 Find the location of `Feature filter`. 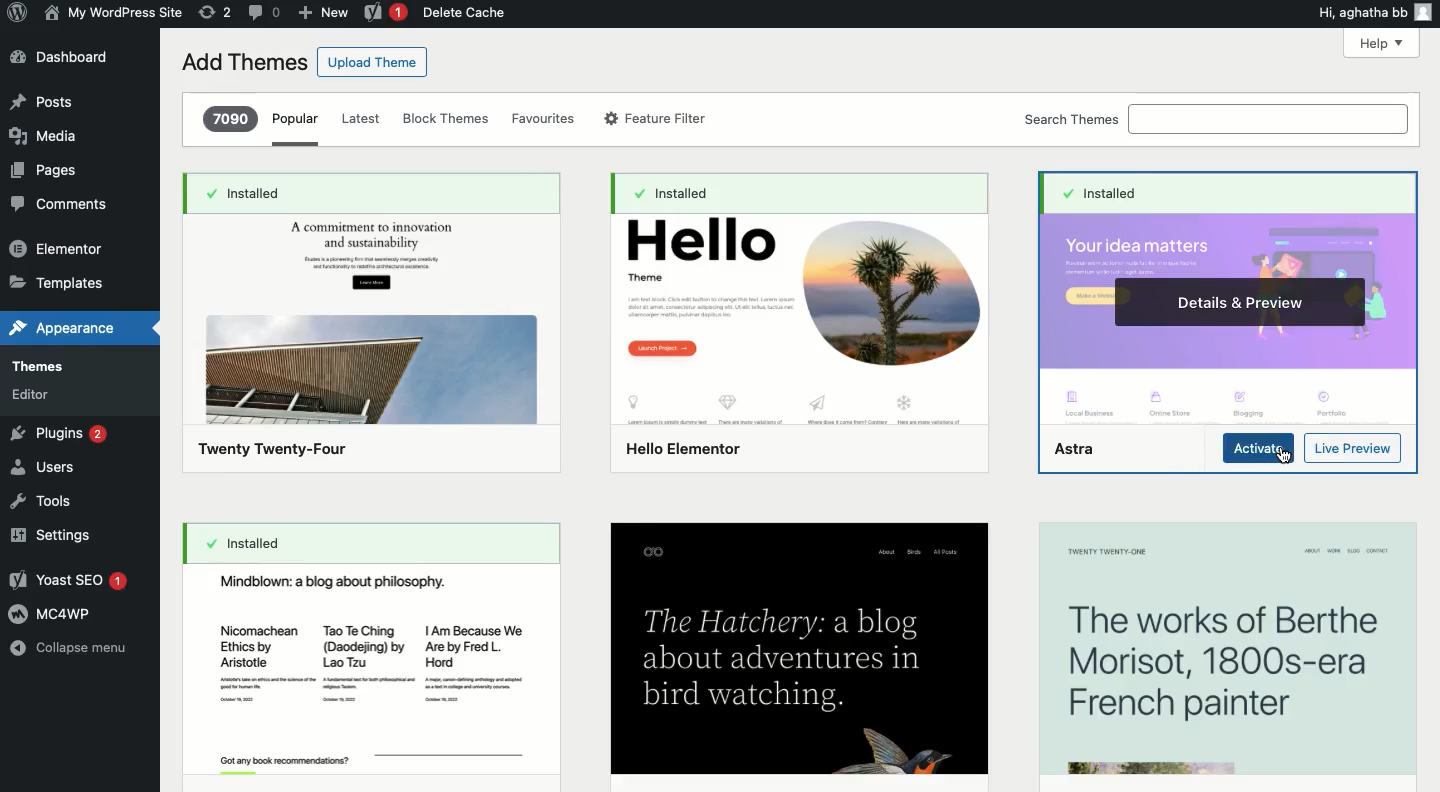

Feature filter is located at coordinates (658, 118).